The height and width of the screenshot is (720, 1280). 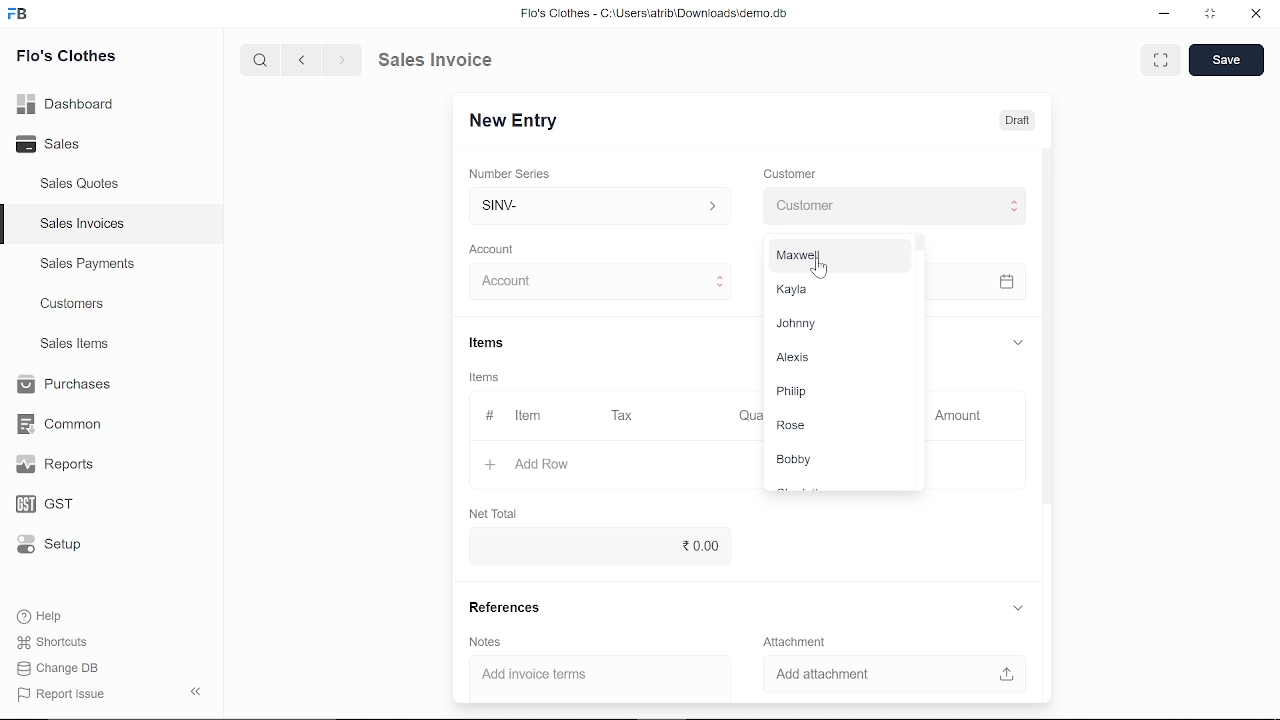 What do you see at coordinates (626, 416) in the screenshot?
I see `Tax` at bounding box center [626, 416].